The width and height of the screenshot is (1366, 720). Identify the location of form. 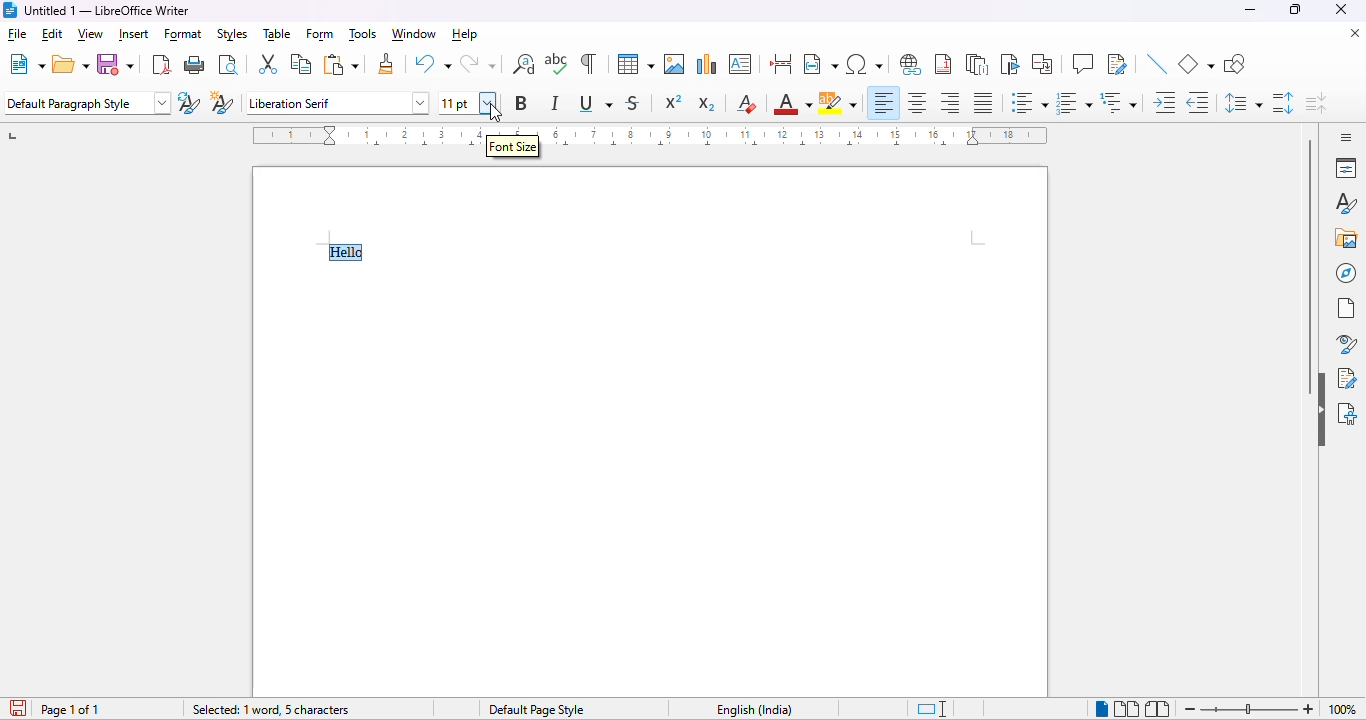
(319, 34).